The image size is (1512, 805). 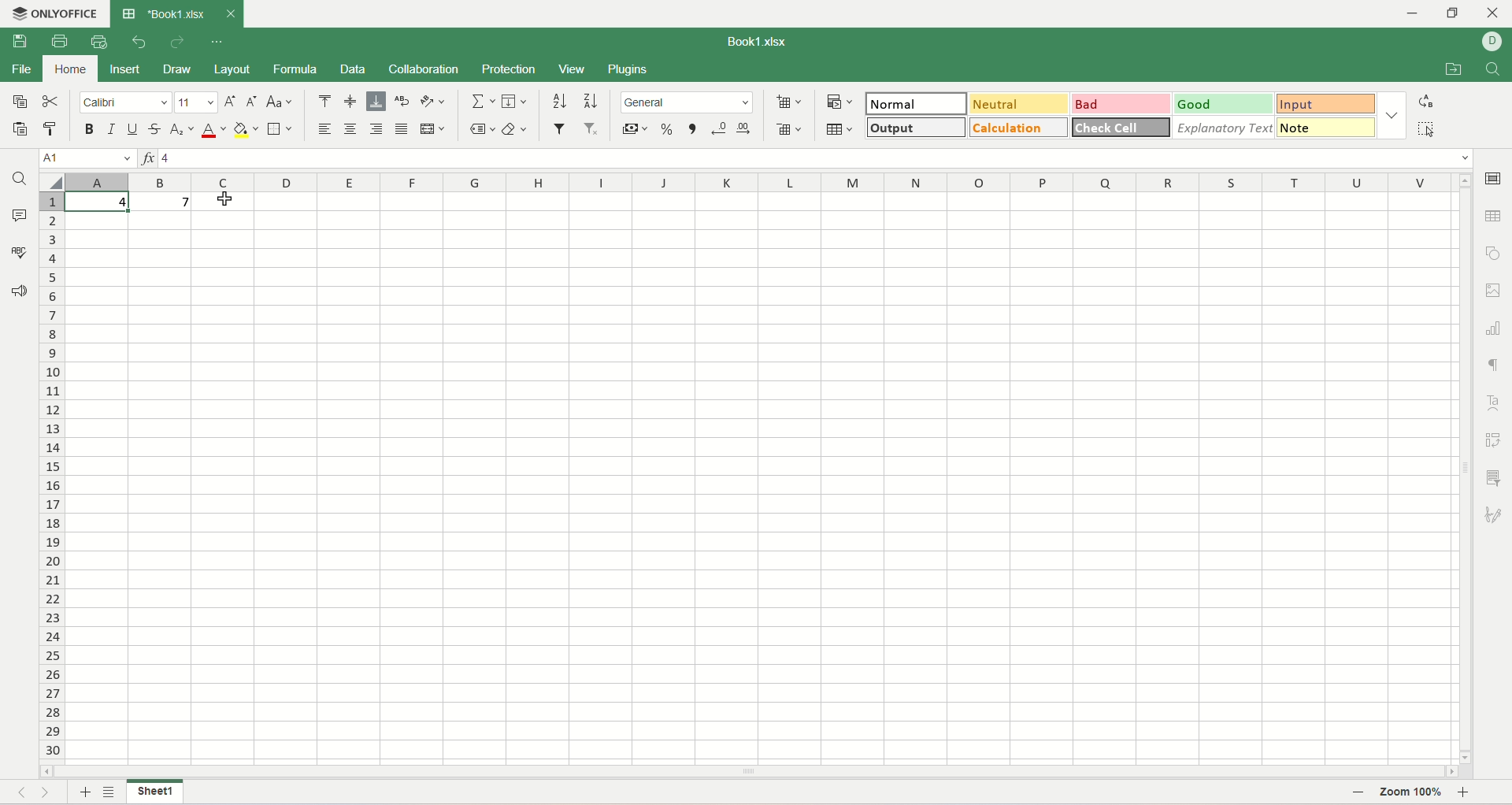 I want to click on align top, so click(x=325, y=102).